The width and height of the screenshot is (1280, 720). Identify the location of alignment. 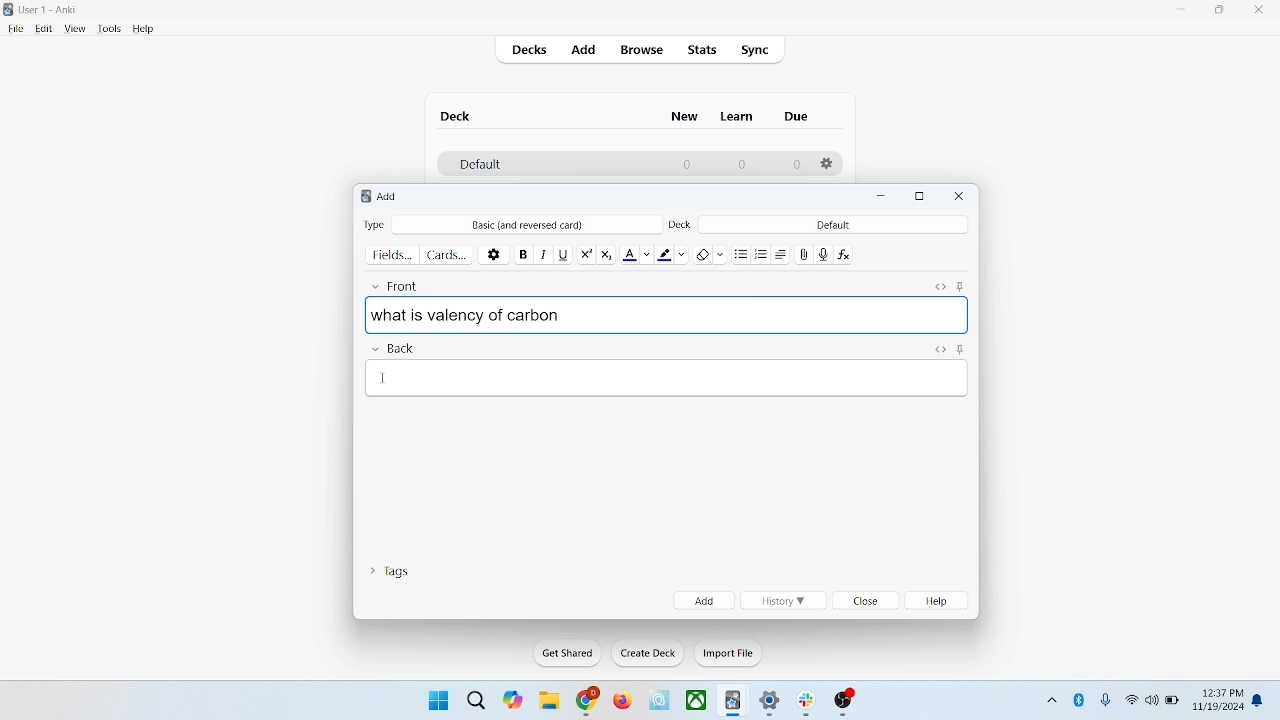
(786, 254).